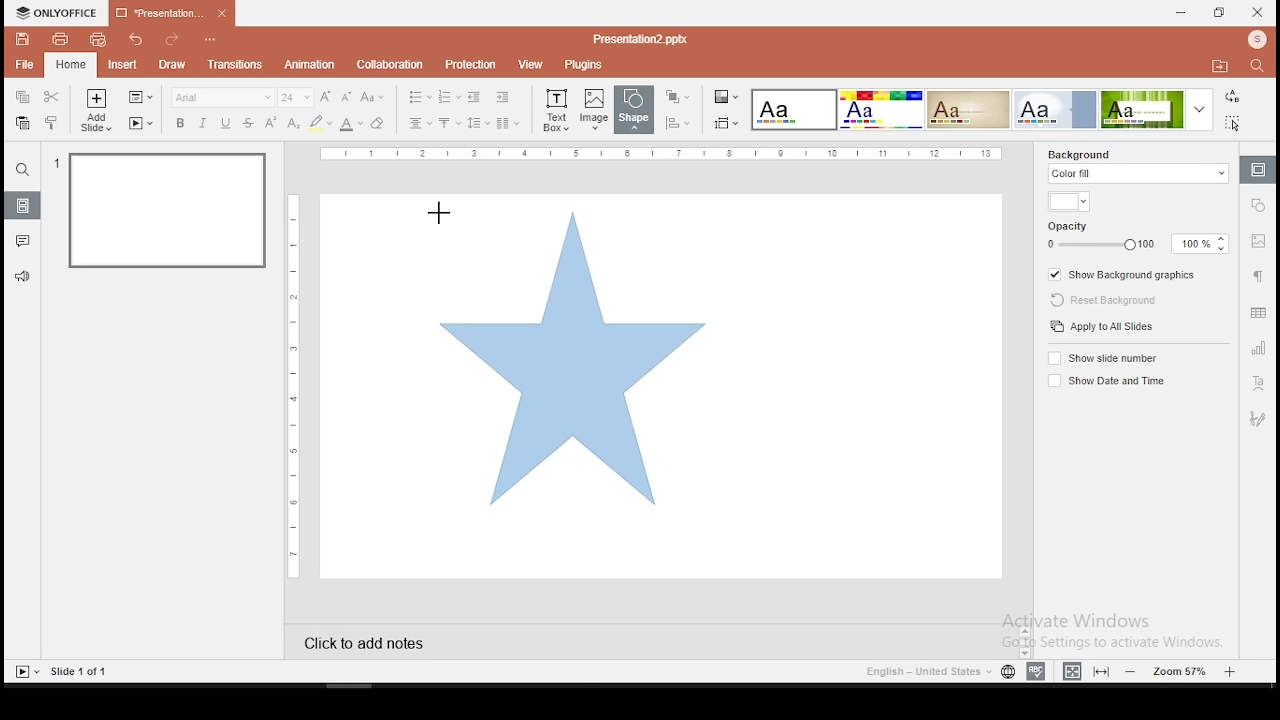  What do you see at coordinates (1068, 203) in the screenshot?
I see `background fill color` at bounding box center [1068, 203].